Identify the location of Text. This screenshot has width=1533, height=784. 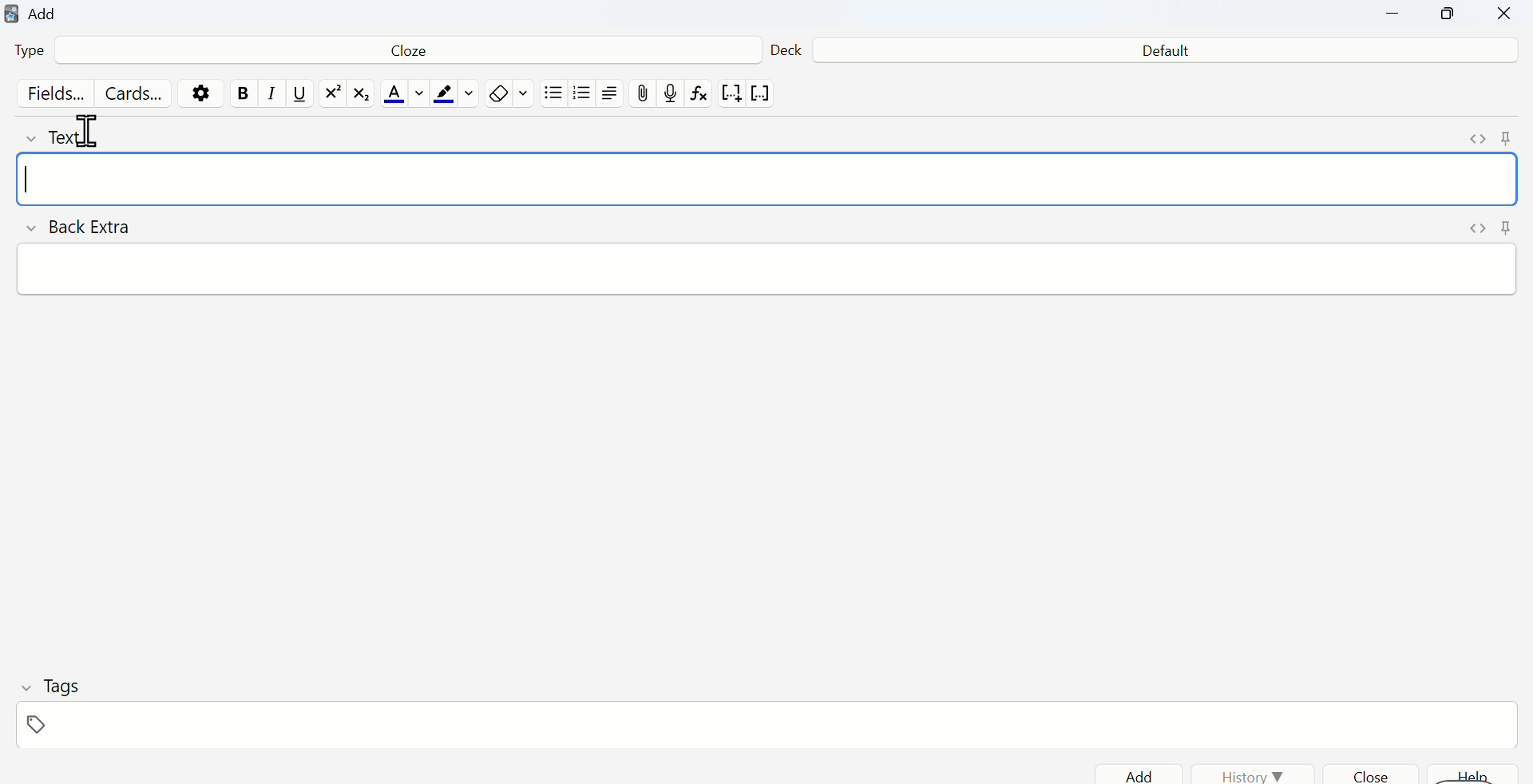
(65, 137).